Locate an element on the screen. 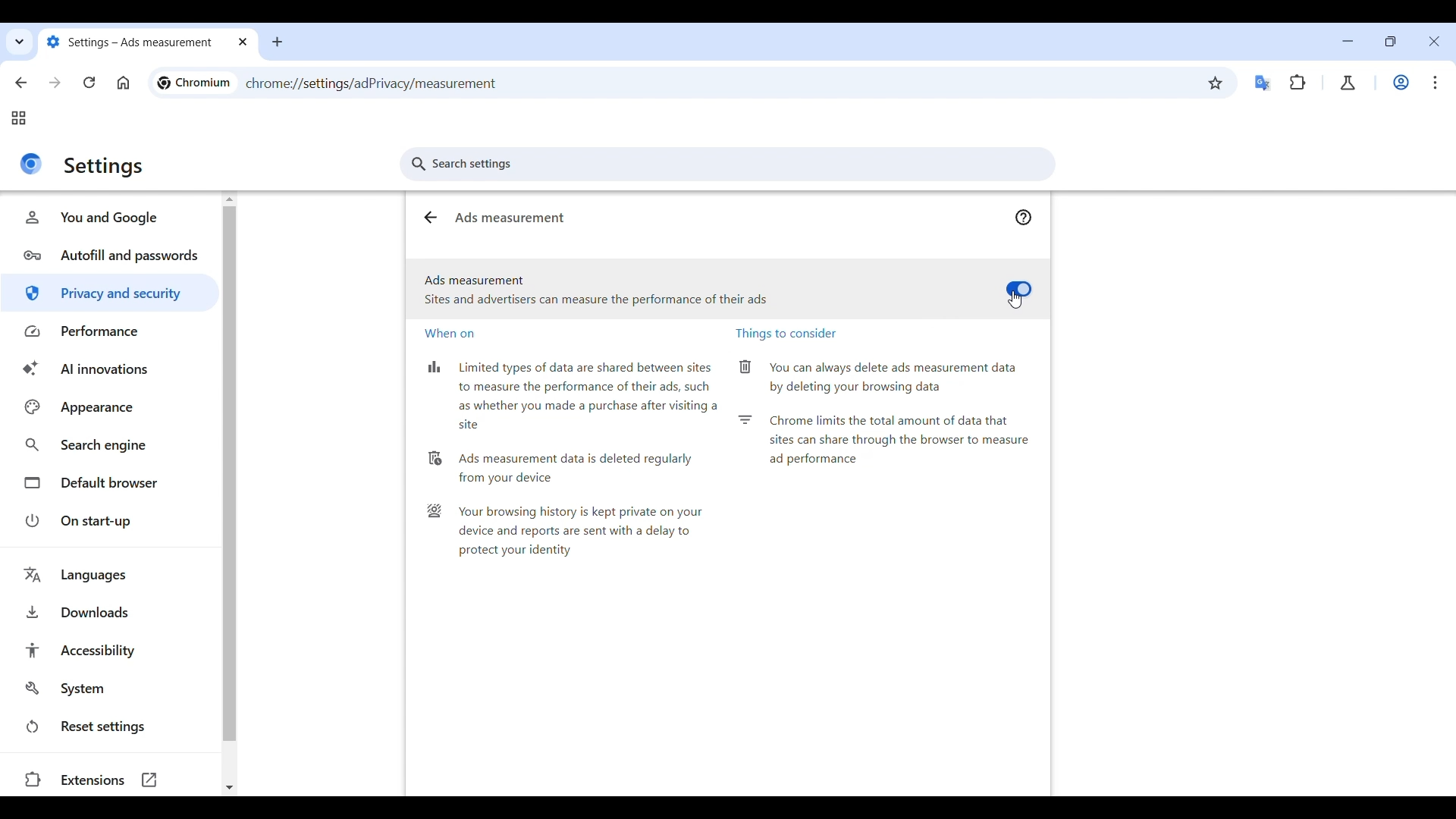 This screenshot has width=1456, height=819. Ads measurement toggle is located at coordinates (727, 292).